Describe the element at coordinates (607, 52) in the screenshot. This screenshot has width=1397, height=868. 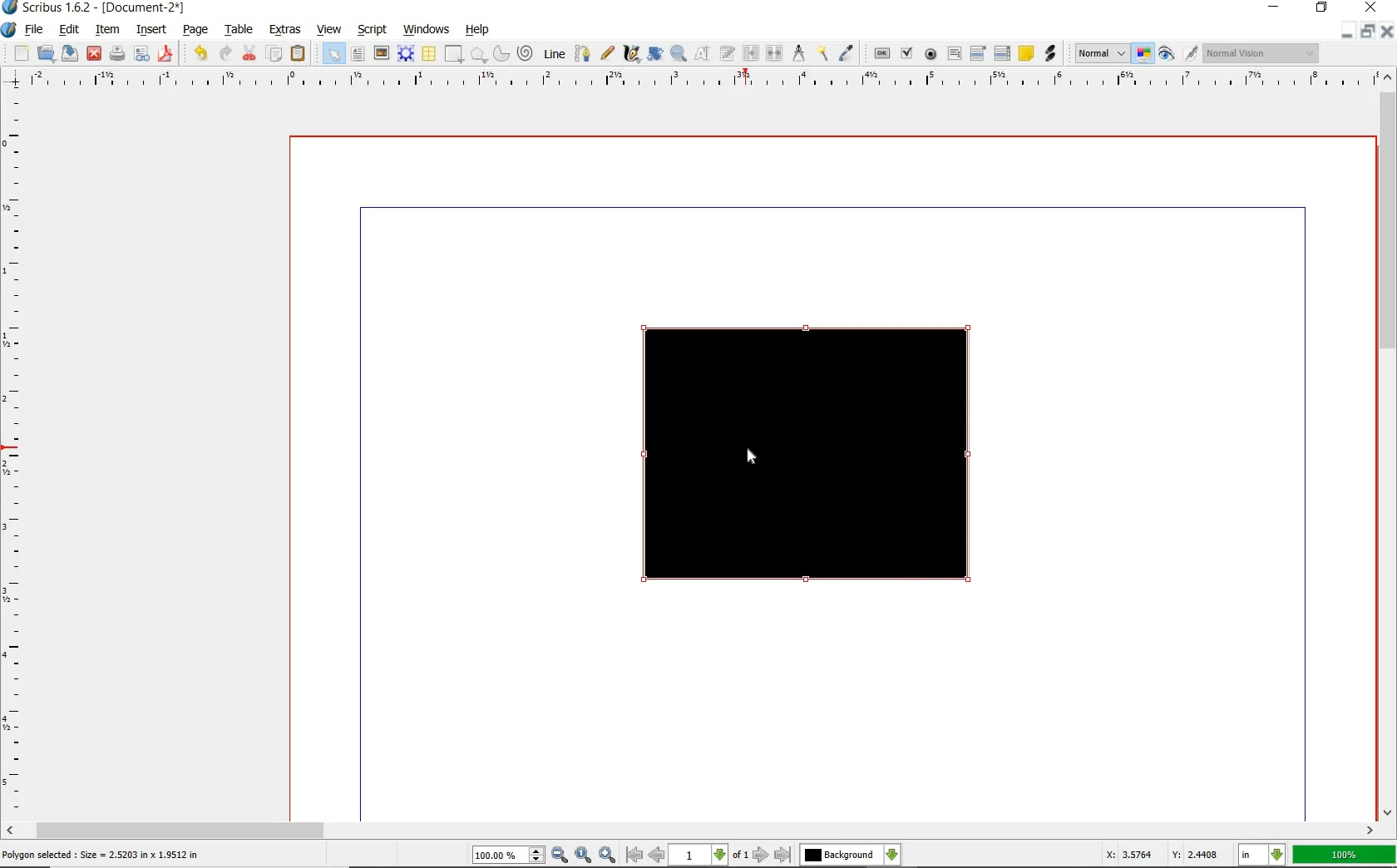
I see `free hand line` at that location.